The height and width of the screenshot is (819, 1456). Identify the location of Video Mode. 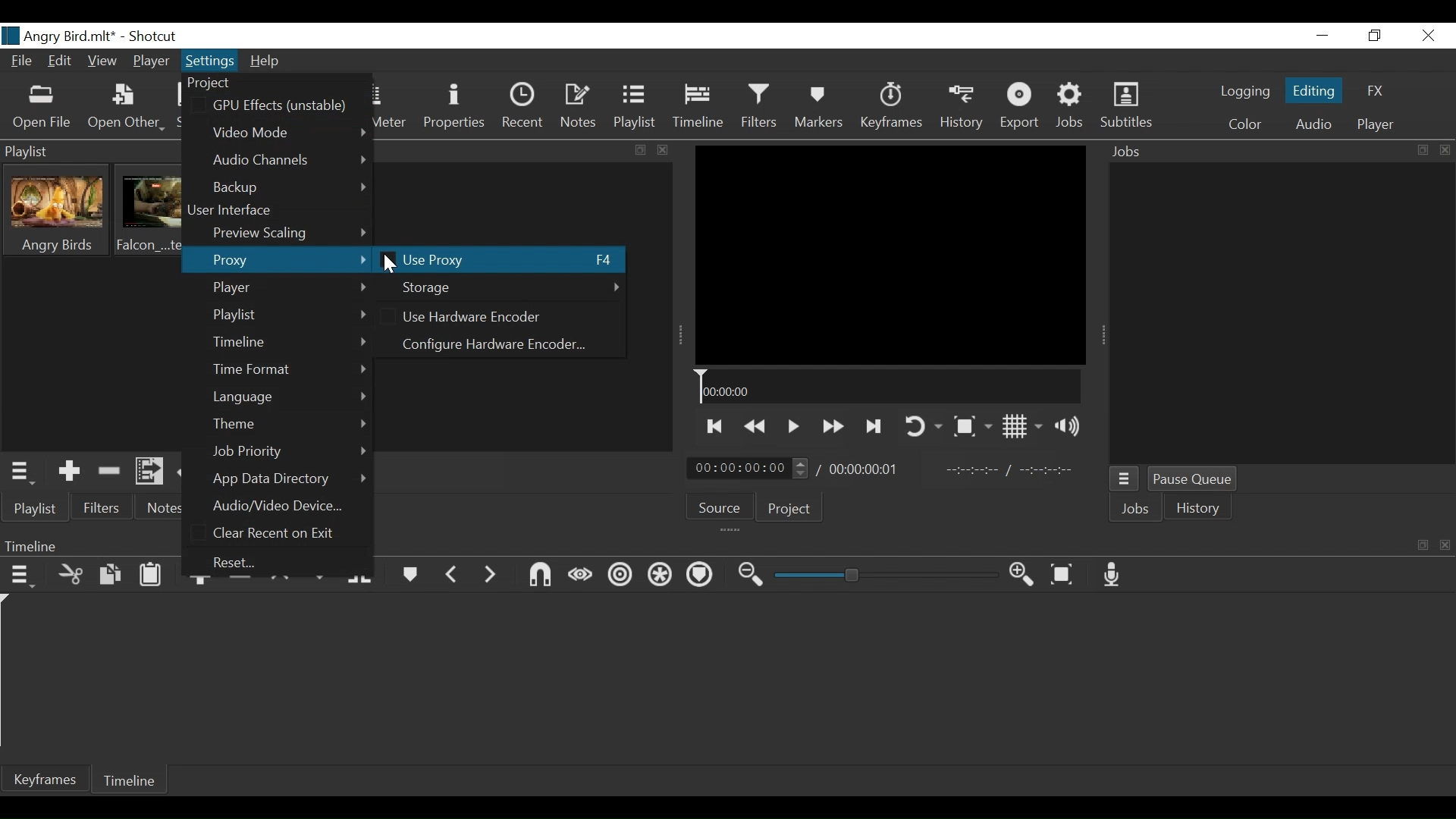
(288, 133).